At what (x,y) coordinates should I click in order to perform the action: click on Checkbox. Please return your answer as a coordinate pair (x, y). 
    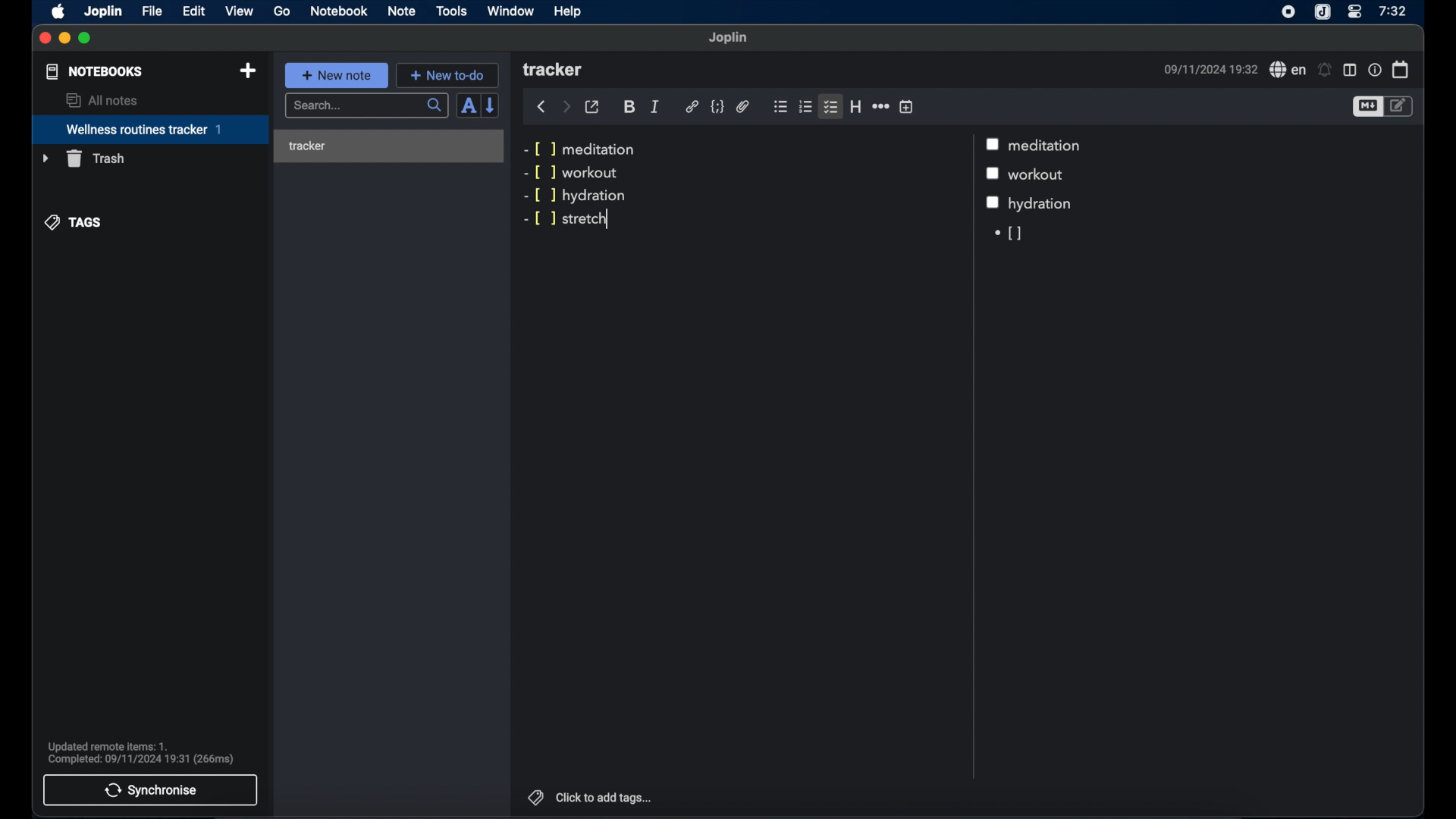
    Looking at the image, I should click on (993, 202).